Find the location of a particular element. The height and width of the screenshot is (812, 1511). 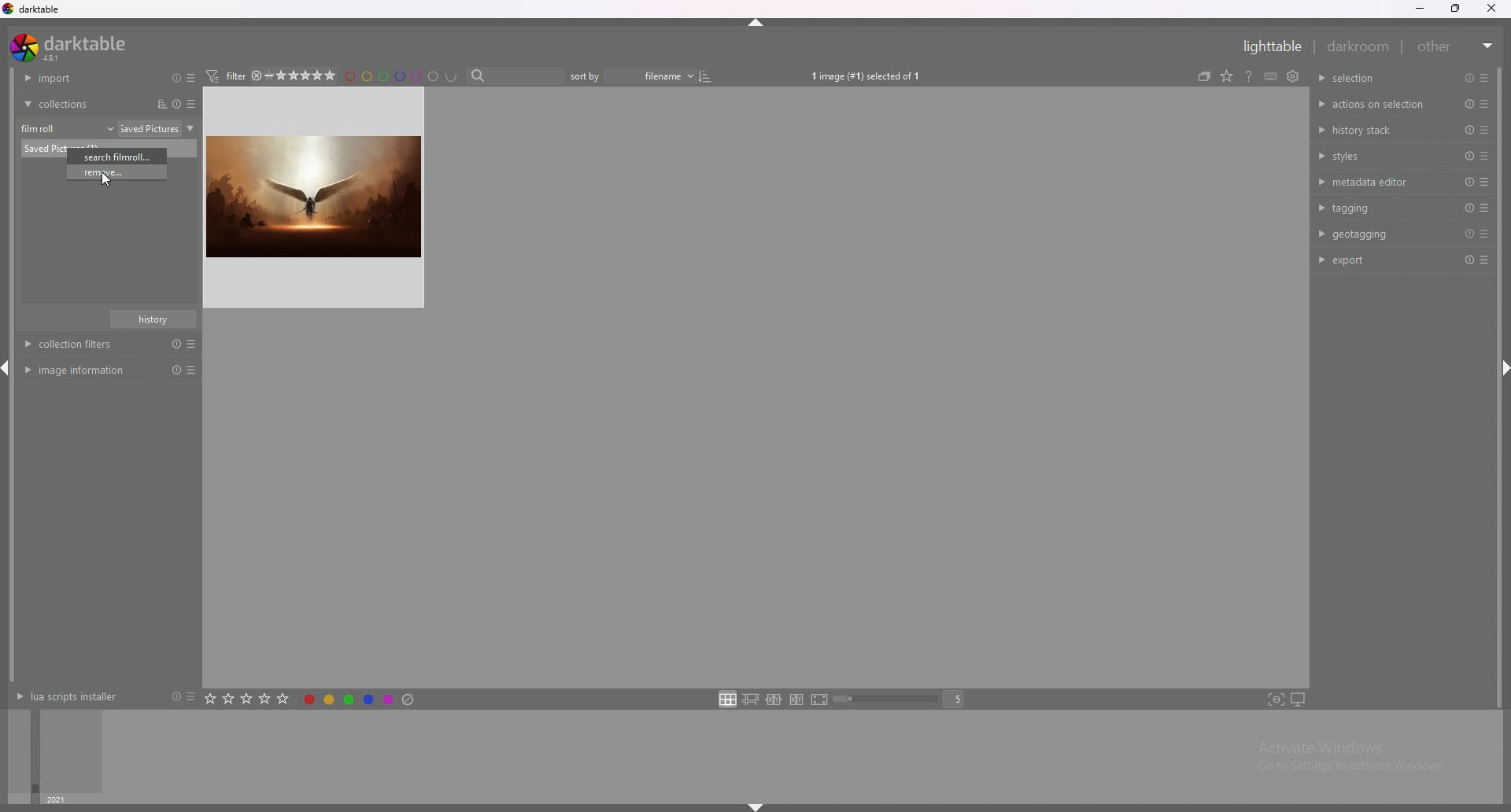

sort is located at coordinates (158, 104).